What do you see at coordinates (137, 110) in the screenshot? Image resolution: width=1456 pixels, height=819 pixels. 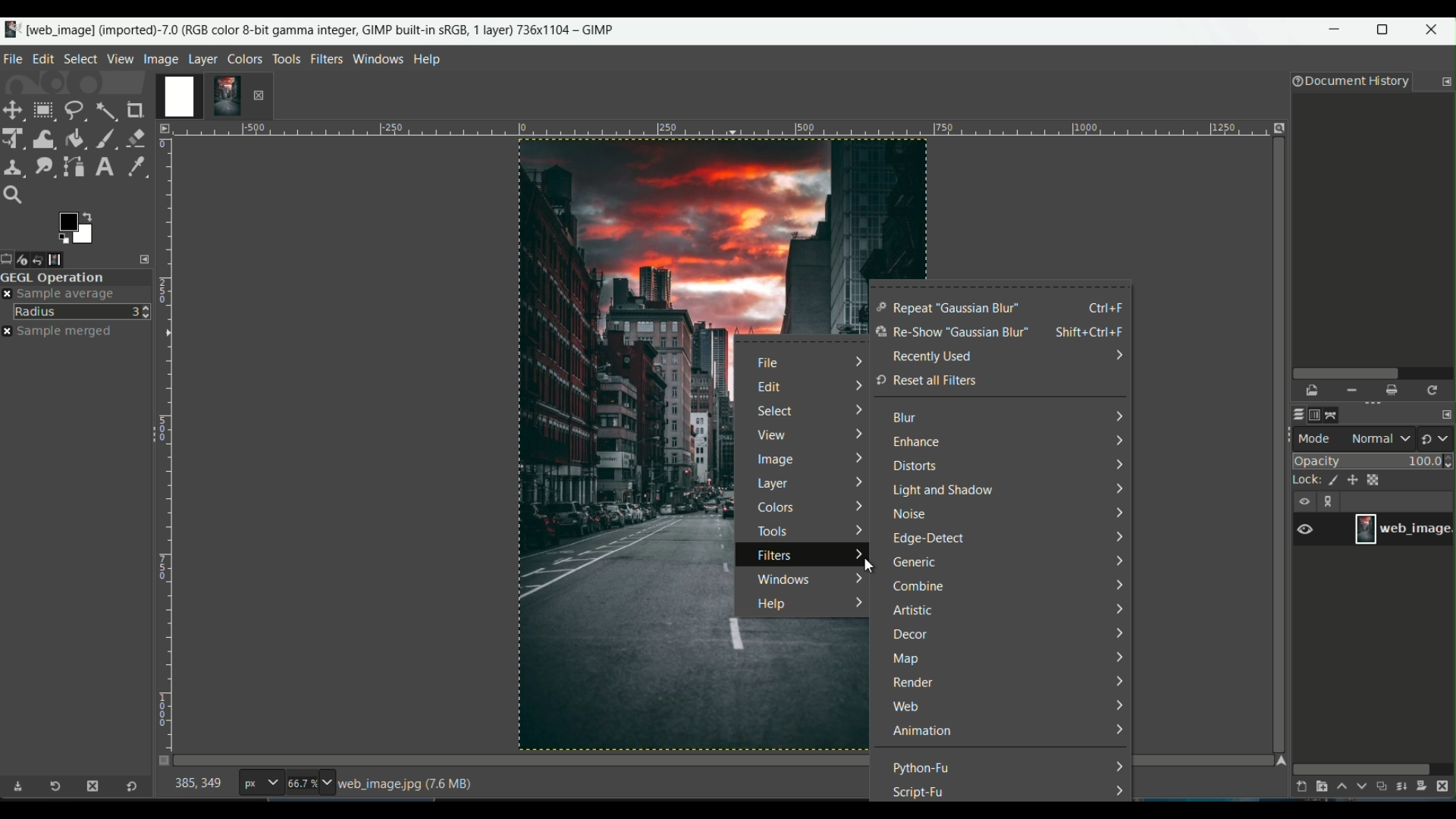 I see `crop tool` at bounding box center [137, 110].